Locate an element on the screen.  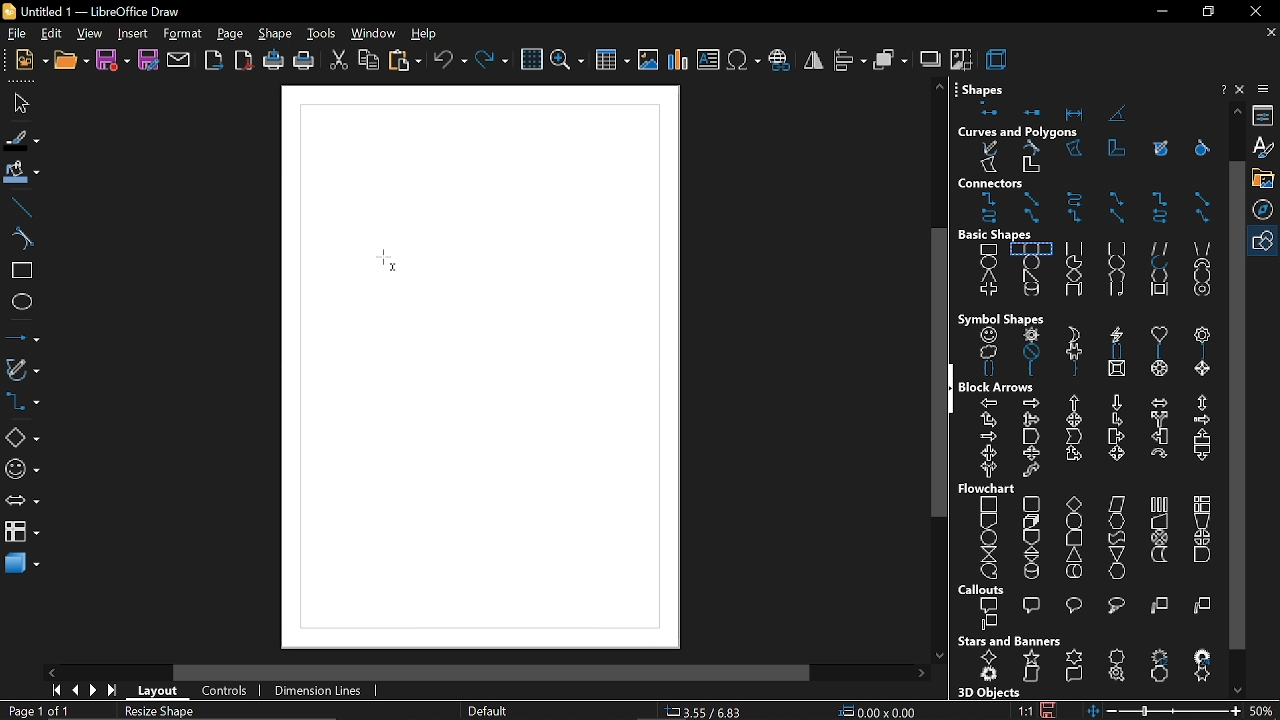
format is located at coordinates (182, 35).